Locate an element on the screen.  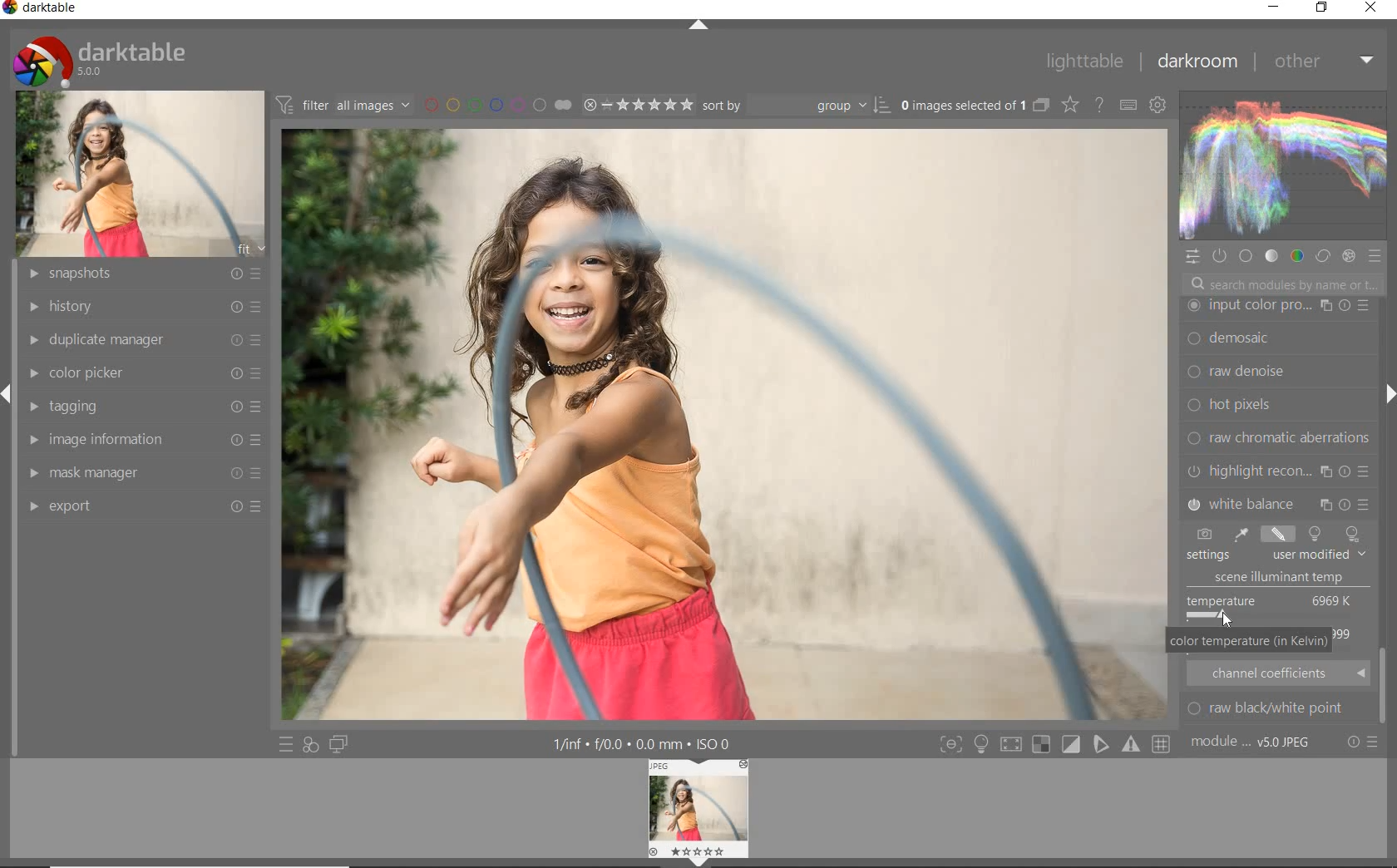
image preview is located at coordinates (699, 813).